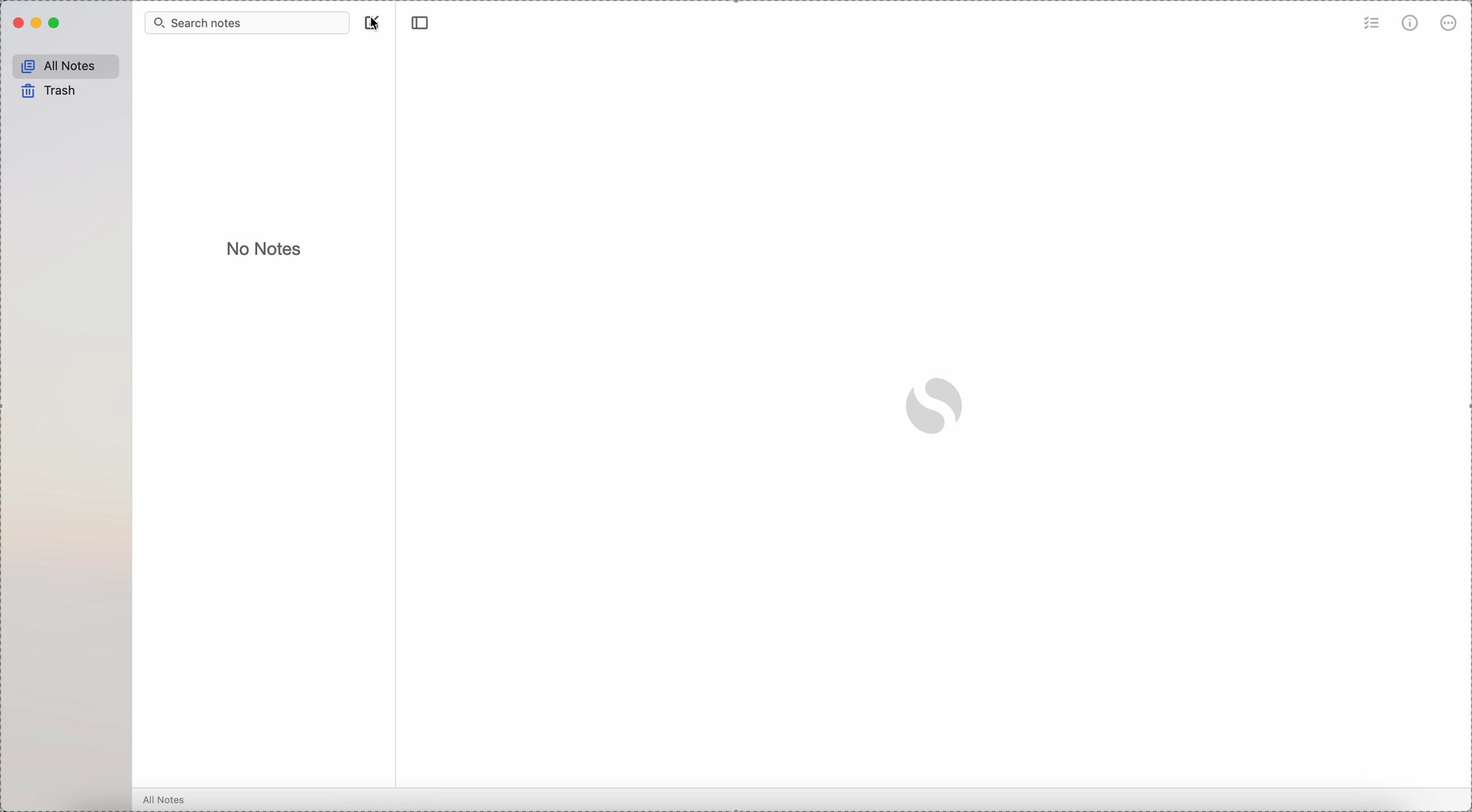  I want to click on no notes, so click(266, 248).